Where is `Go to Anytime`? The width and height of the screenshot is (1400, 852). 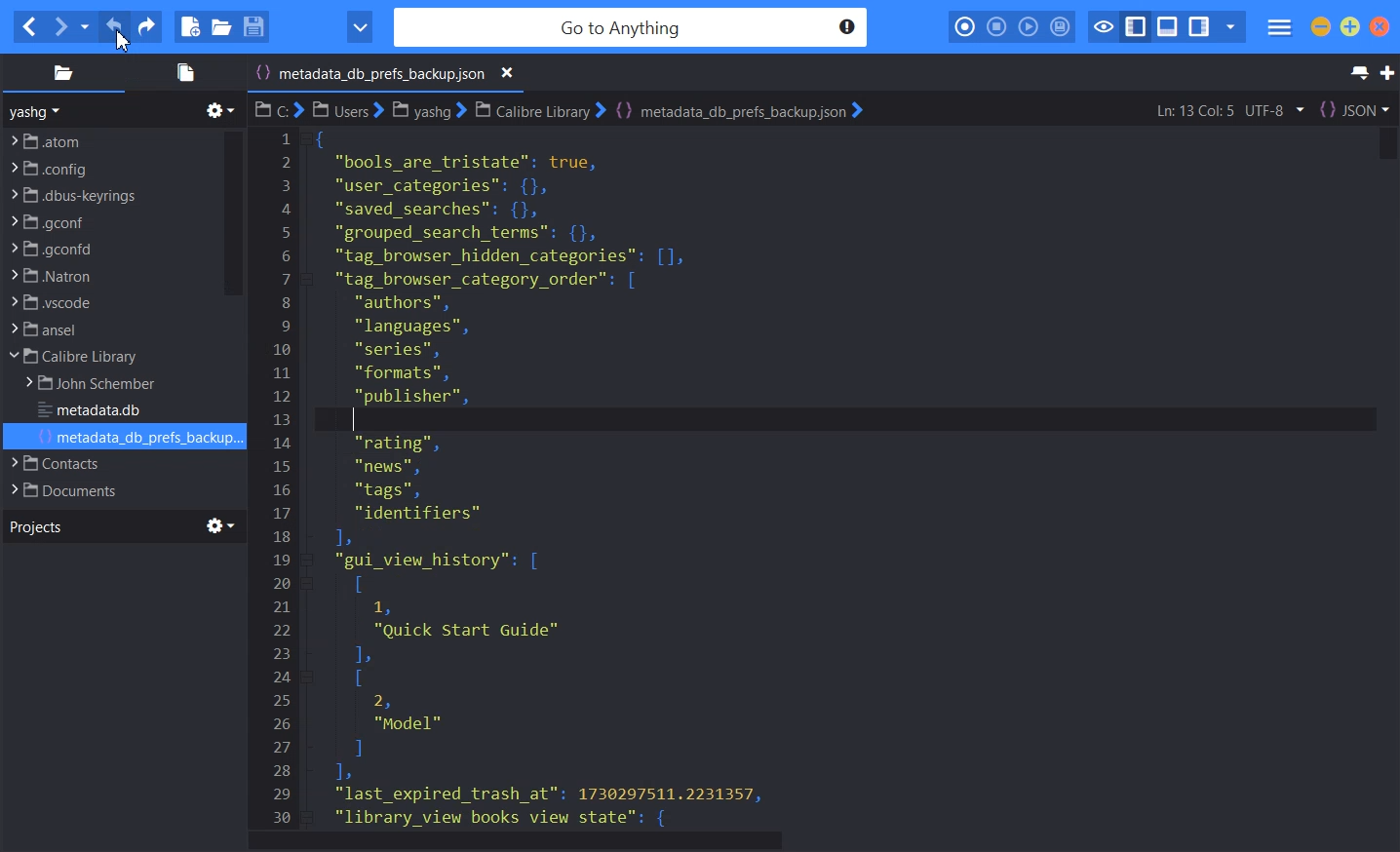 Go to Anytime is located at coordinates (633, 28).